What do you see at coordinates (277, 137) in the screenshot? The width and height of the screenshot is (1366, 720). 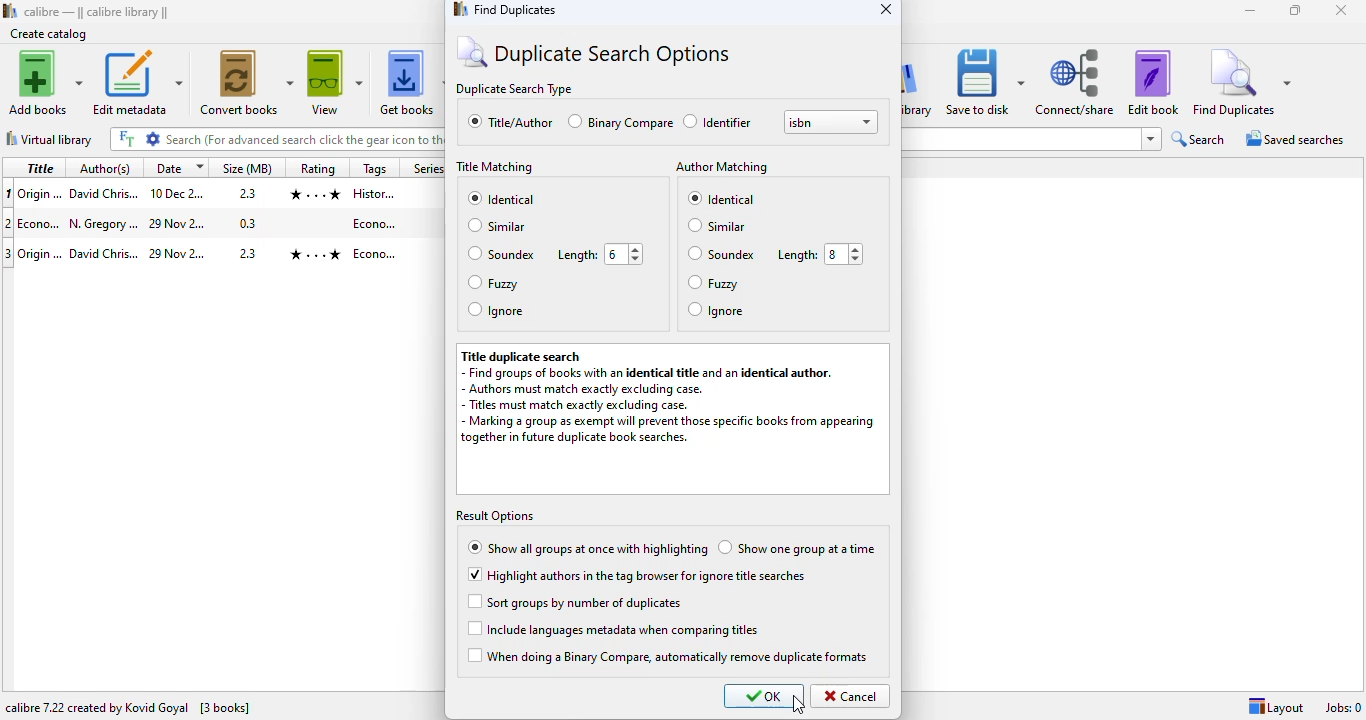 I see `input box` at bounding box center [277, 137].